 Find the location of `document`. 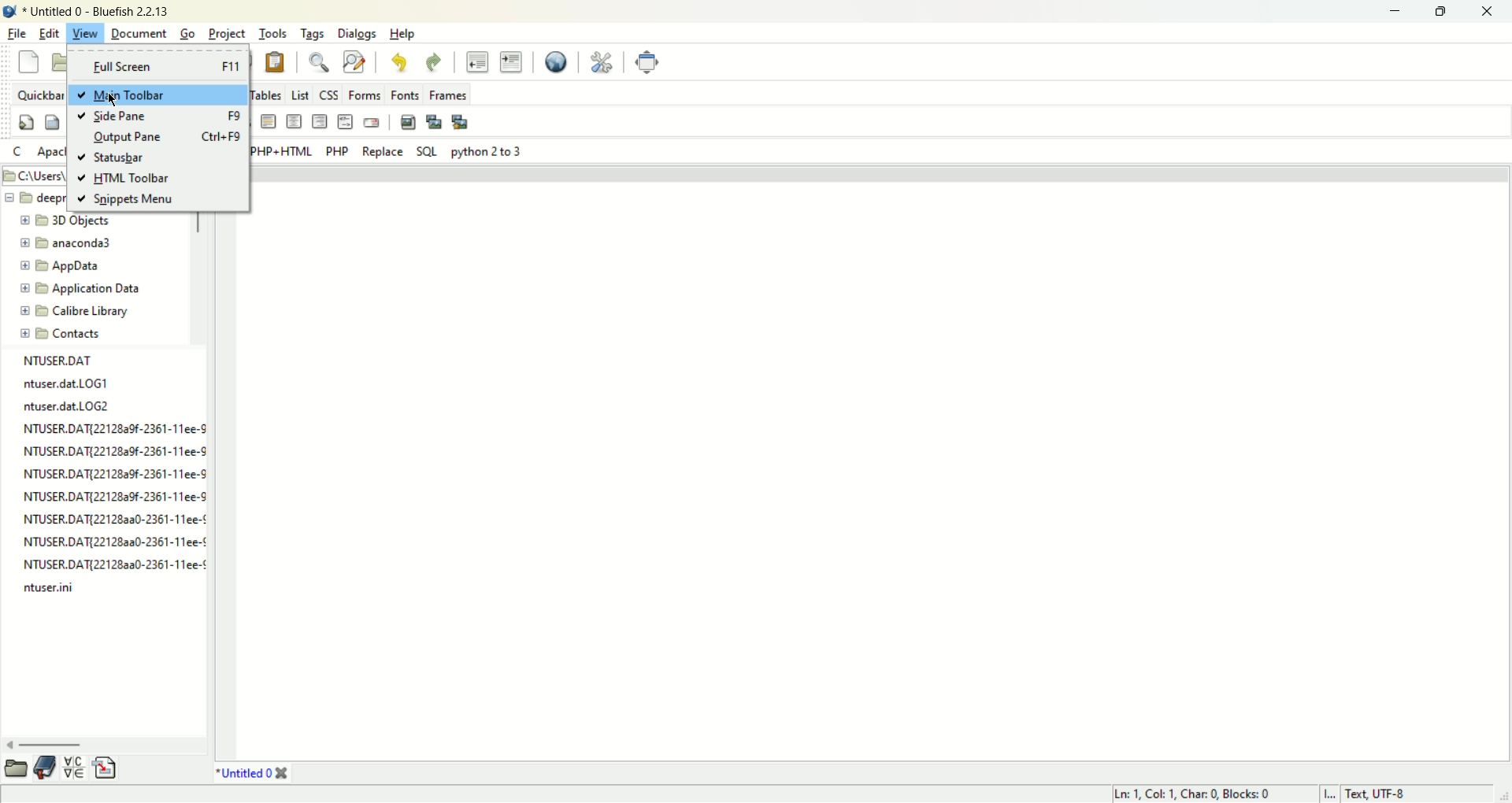

document is located at coordinates (137, 33).